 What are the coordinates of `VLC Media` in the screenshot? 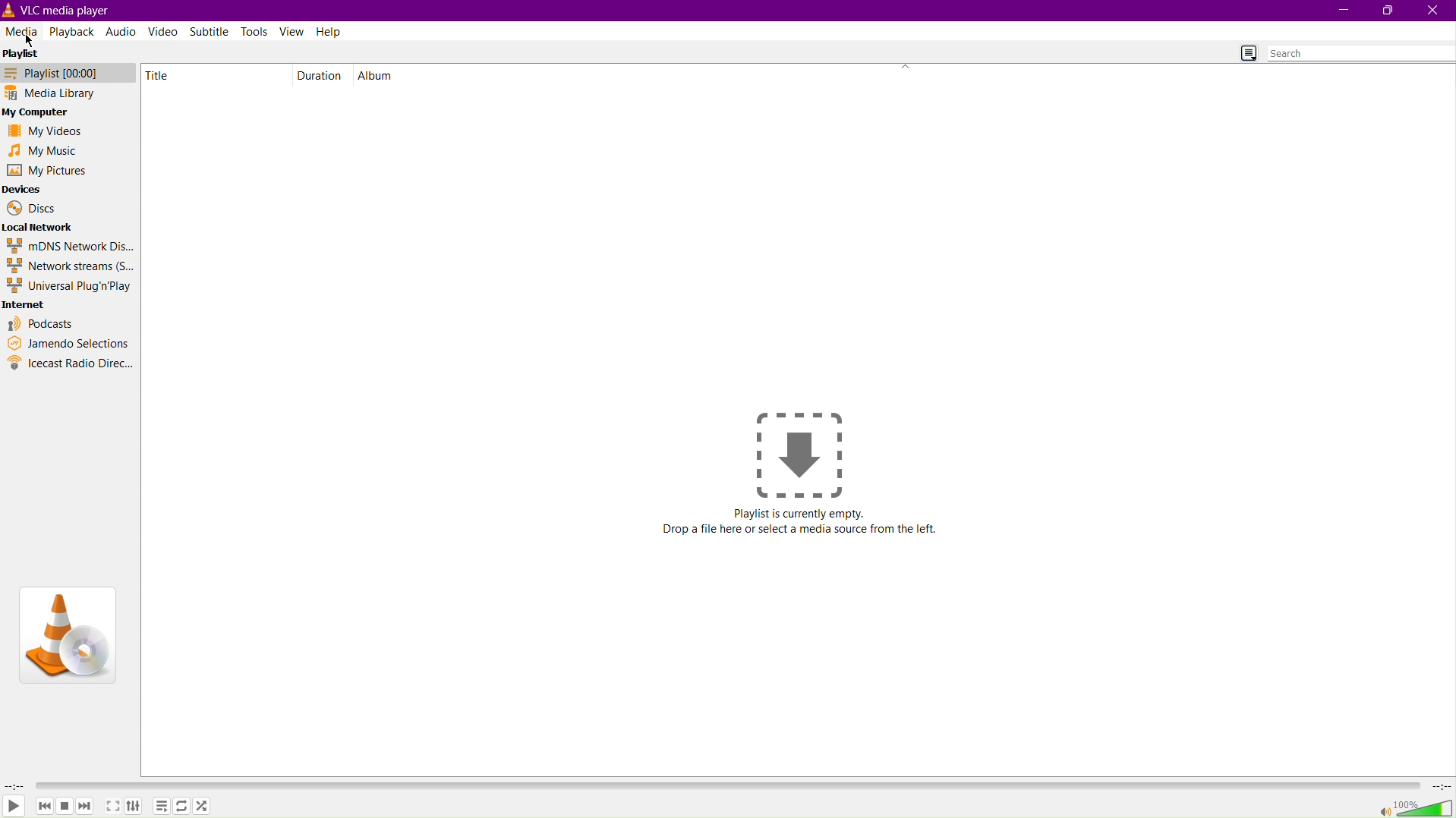 It's located at (71, 9).